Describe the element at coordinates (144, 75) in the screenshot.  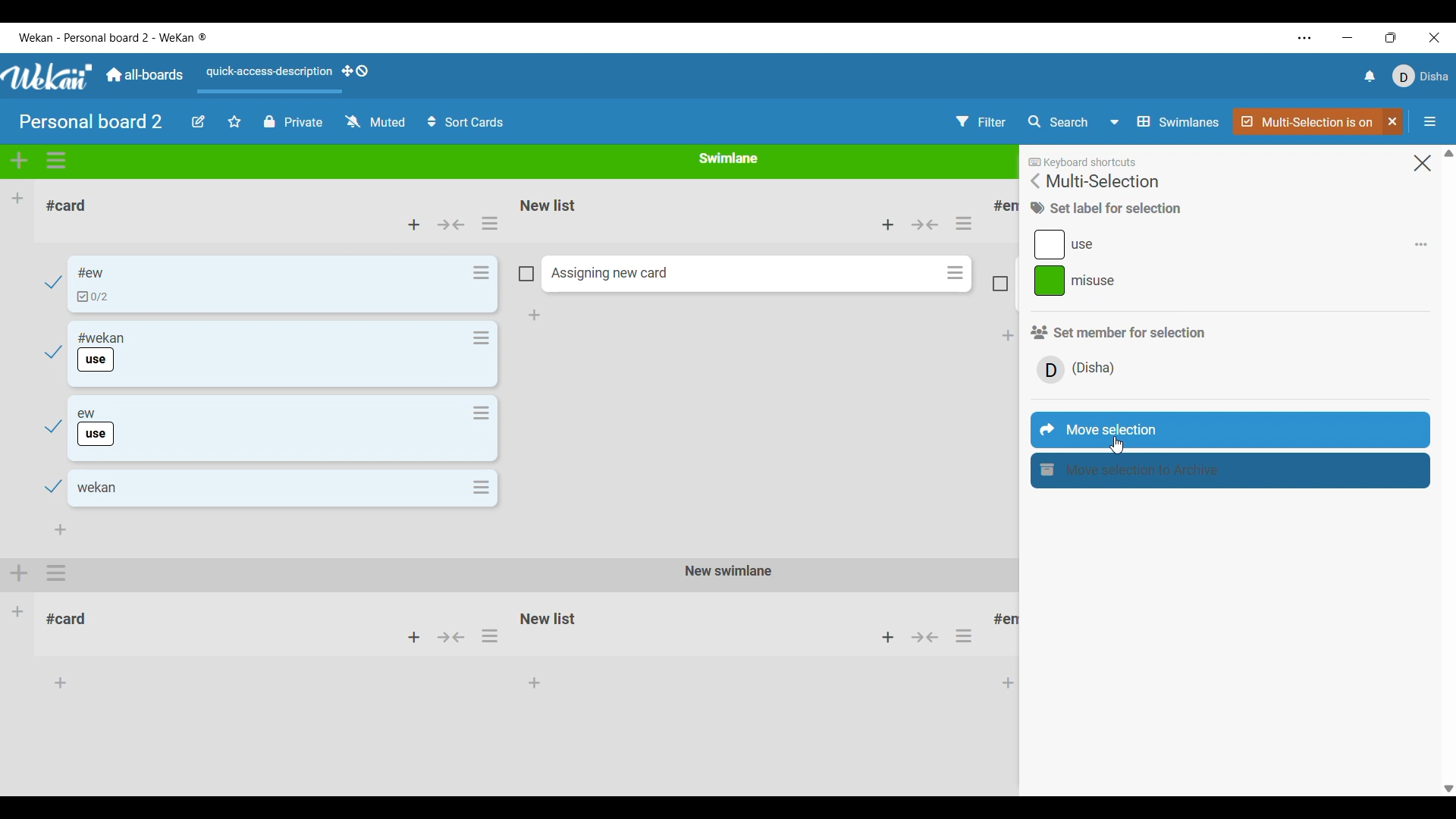
I see `Go to main dashboard` at that location.